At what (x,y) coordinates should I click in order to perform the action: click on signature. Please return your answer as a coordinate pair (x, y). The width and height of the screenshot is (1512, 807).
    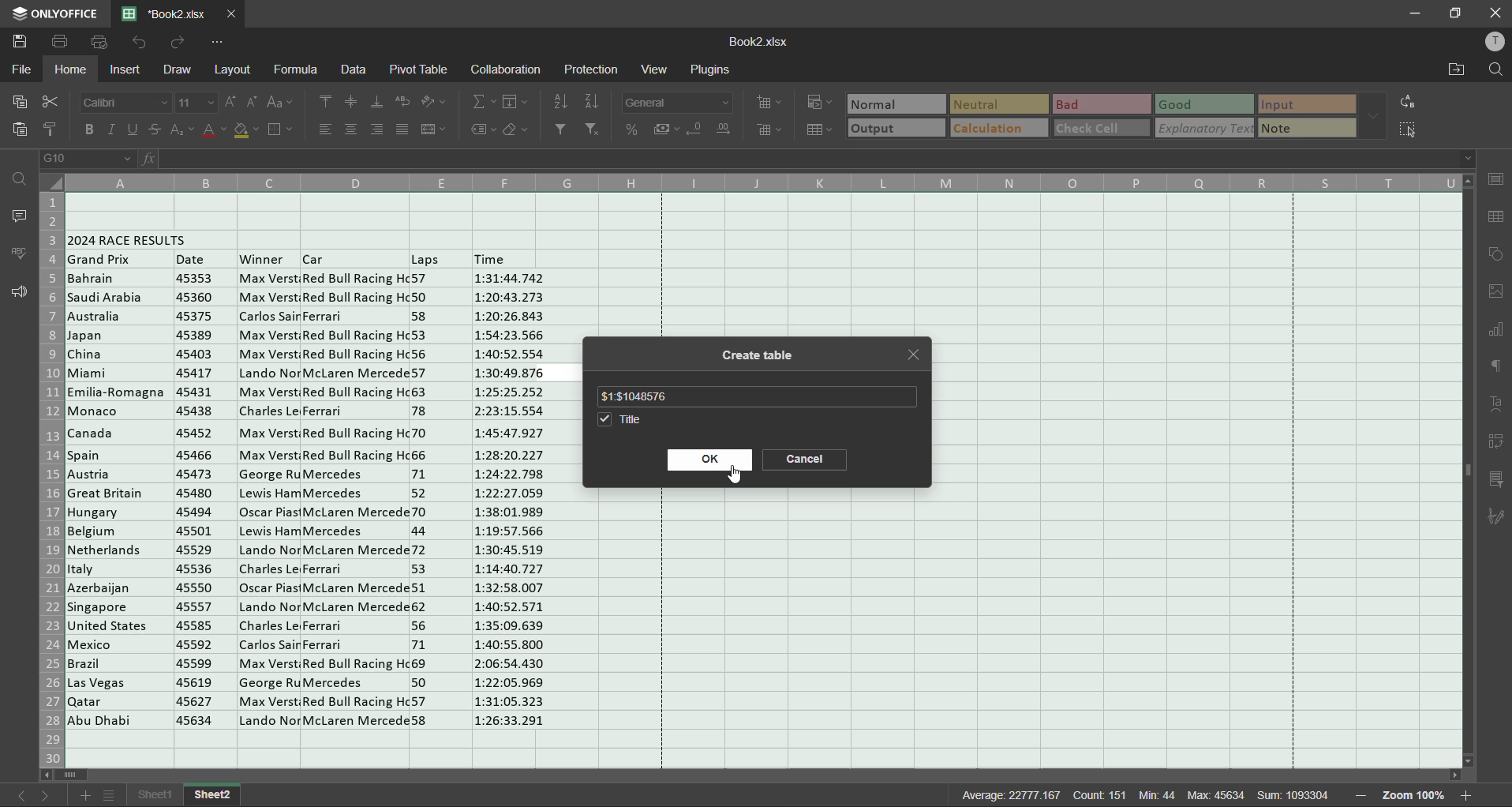
    Looking at the image, I should click on (1496, 514).